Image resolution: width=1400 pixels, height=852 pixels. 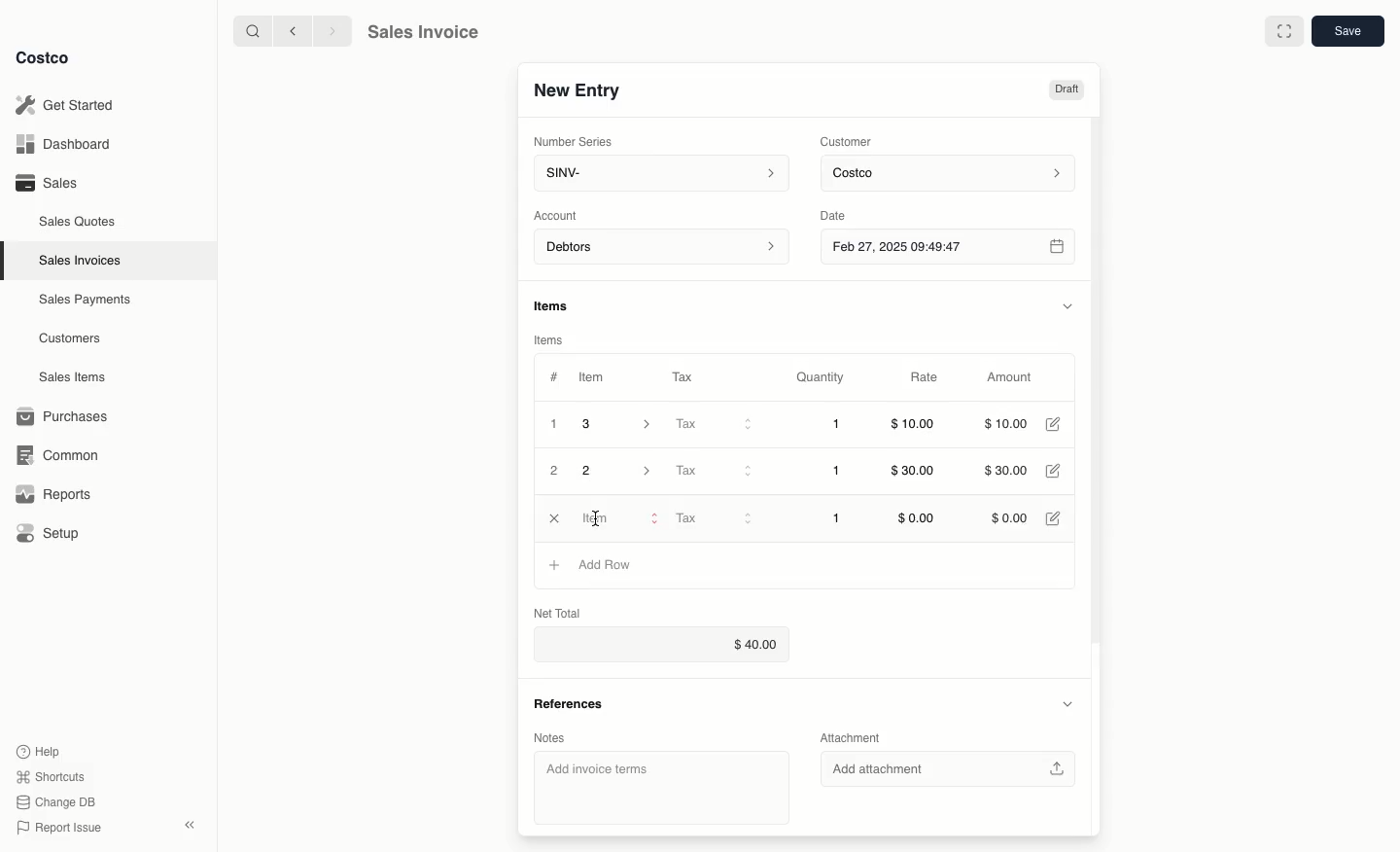 I want to click on Costco, so click(x=951, y=174).